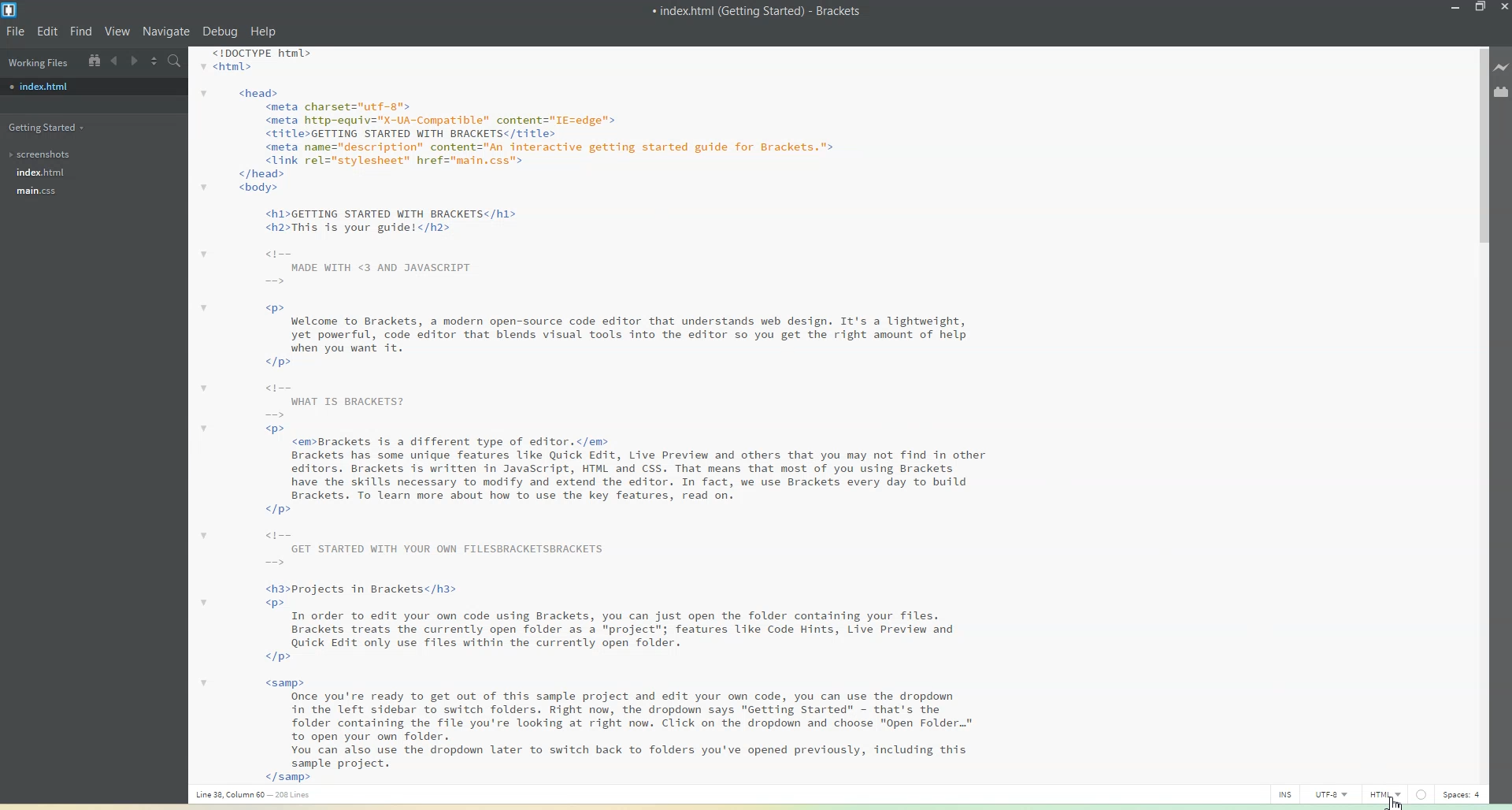  What do you see at coordinates (1462, 794) in the screenshot?
I see `Spaces` at bounding box center [1462, 794].